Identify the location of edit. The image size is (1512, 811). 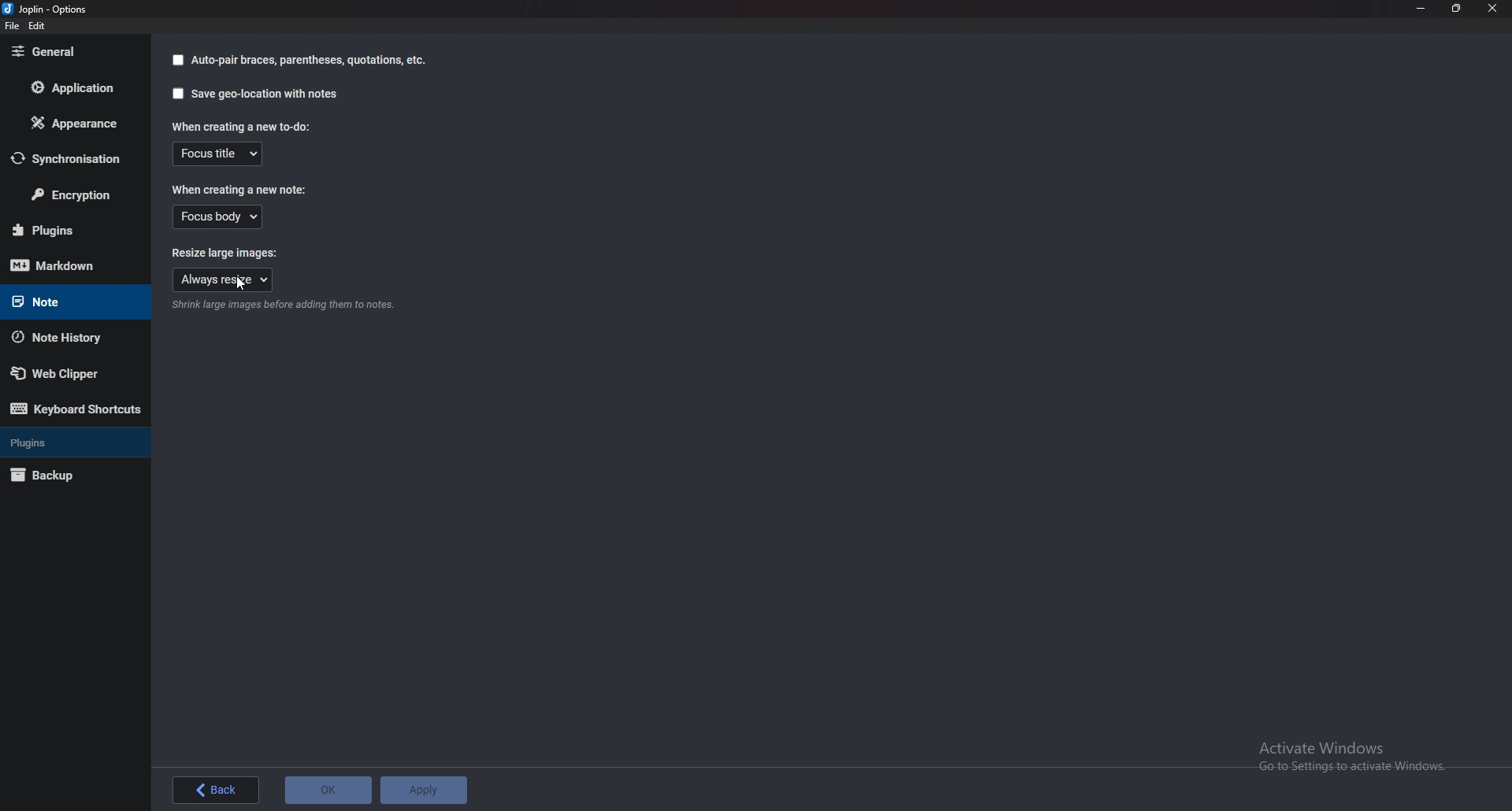
(36, 26).